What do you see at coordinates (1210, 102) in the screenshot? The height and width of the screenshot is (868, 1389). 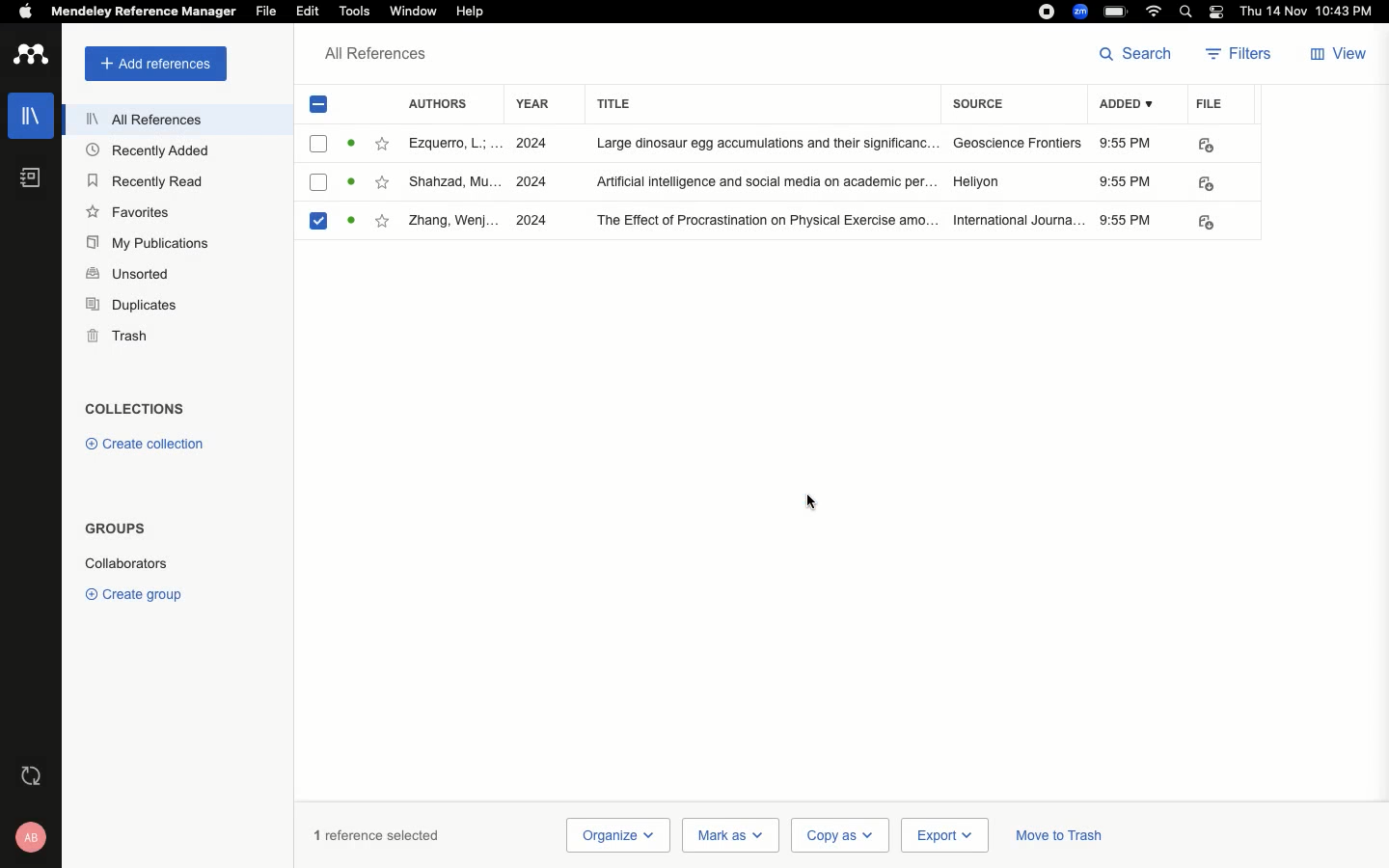 I see `File` at bounding box center [1210, 102].